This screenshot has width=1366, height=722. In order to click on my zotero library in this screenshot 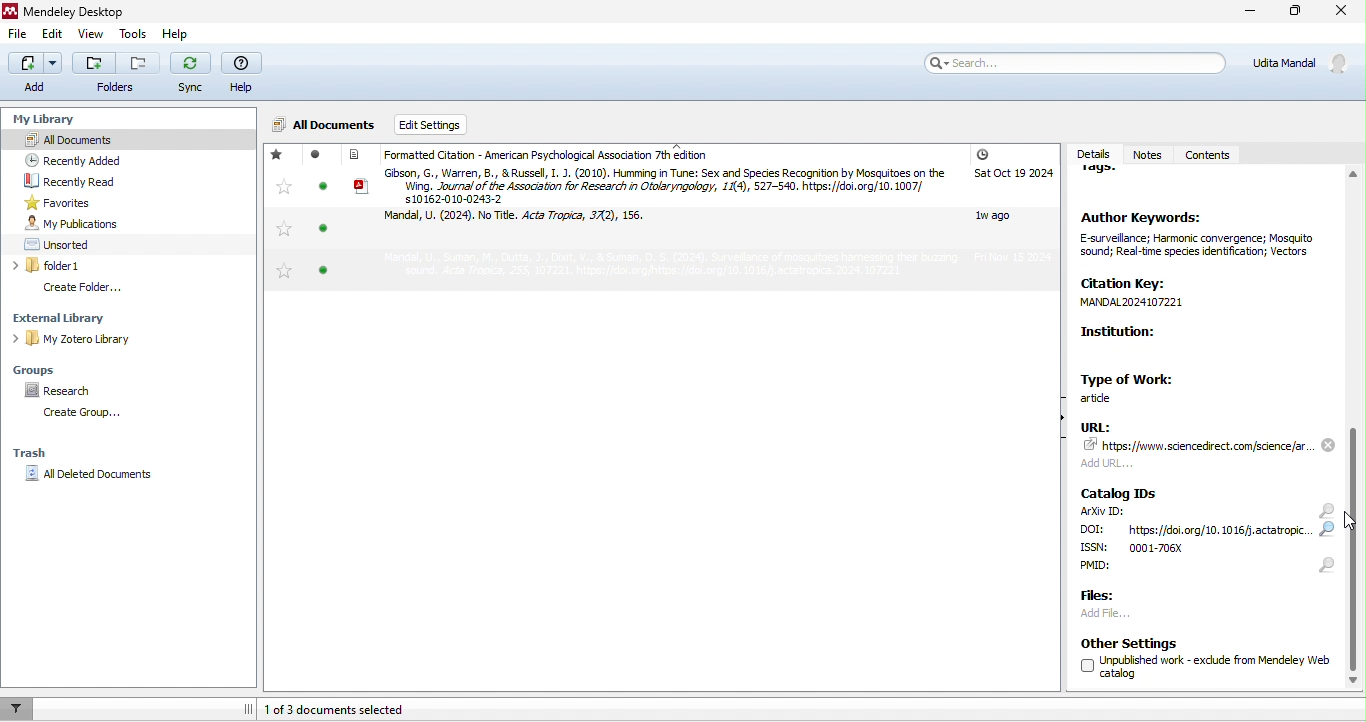, I will do `click(118, 338)`.